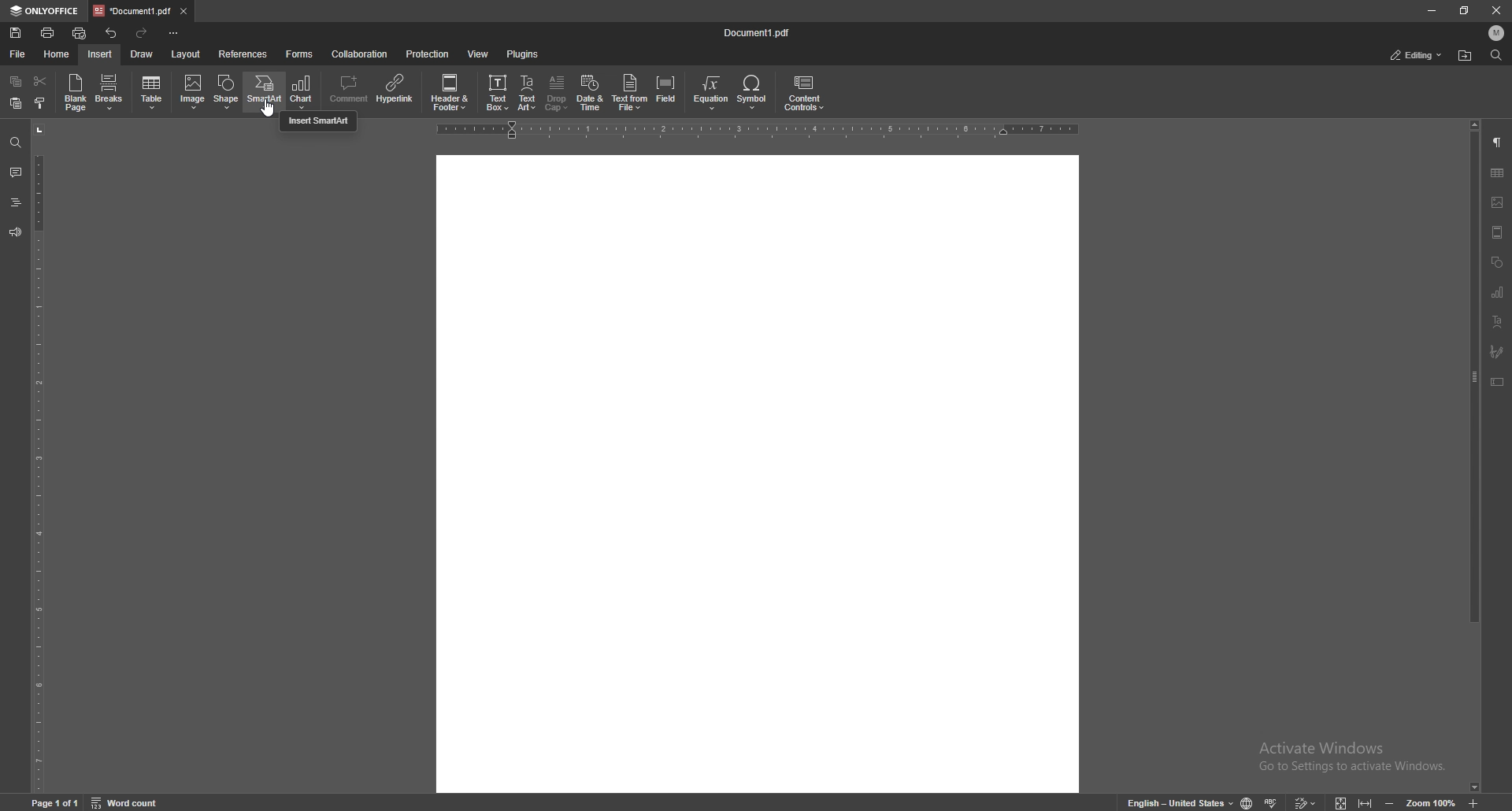 The image size is (1512, 811). Describe the element at coordinates (1498, 320) in the screenshot. I see `text art` at that location.